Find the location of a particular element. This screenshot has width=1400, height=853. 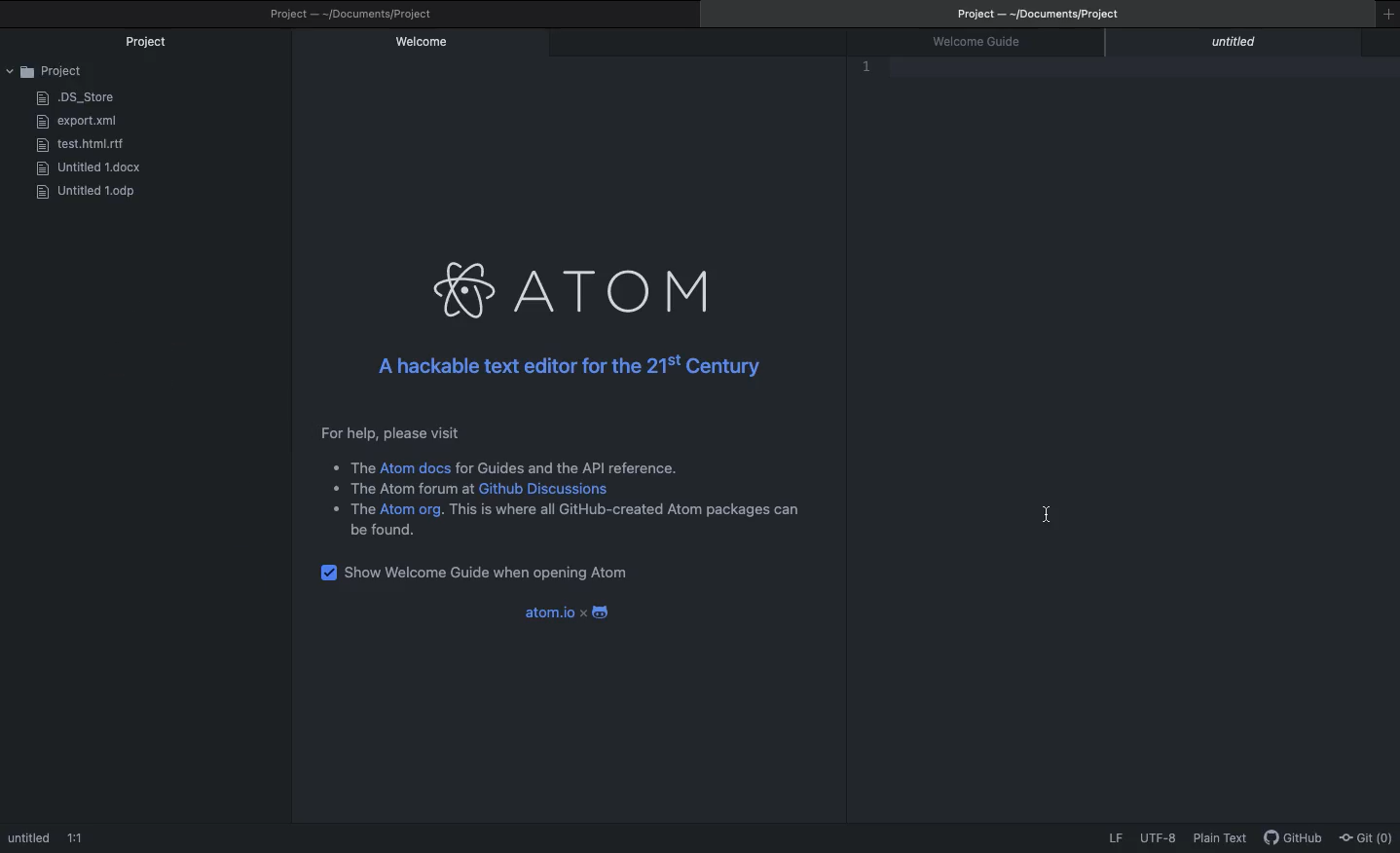

A hackable text editor for the 215 Century is located at coordinates (564, 369).